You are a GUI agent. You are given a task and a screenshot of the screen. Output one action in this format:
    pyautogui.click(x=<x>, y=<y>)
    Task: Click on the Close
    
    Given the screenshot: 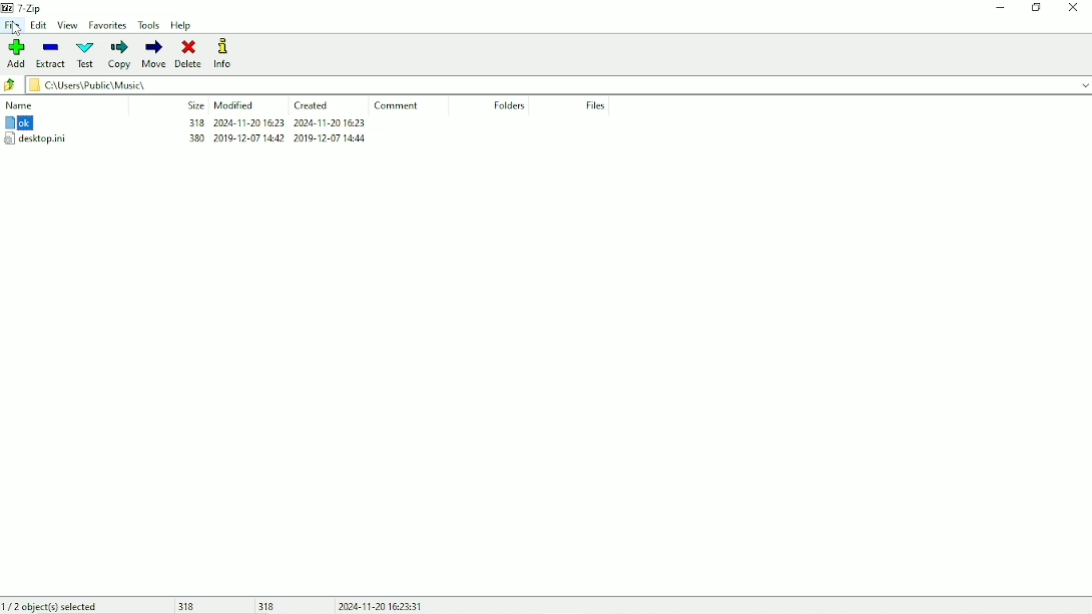 What is the action you would take?
    pyautogui.click(x=1074, y=9)
    